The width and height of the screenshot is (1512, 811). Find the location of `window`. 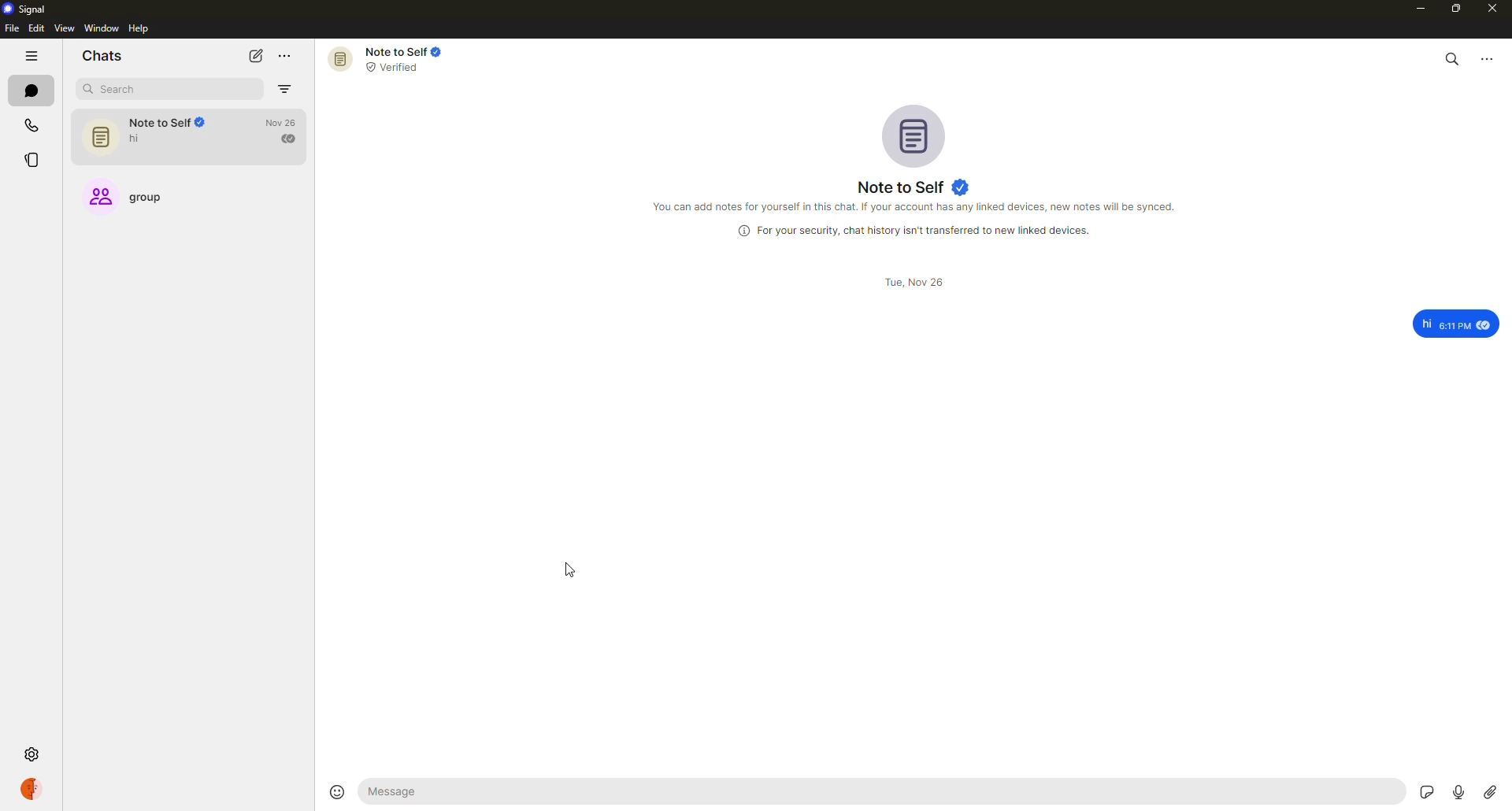

window is located at coordinates (102, 28).